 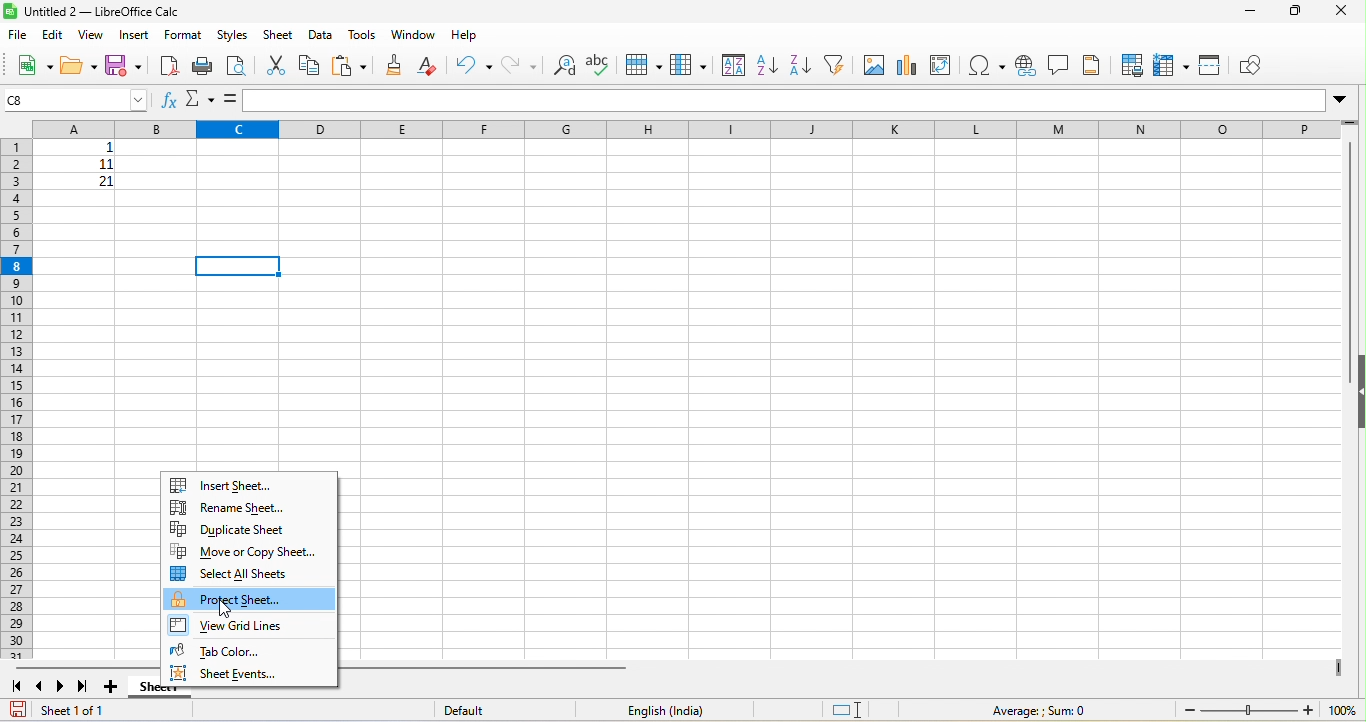 What do you see at coordinates (1353, 247) in the screenshot?
I see `vertical scroll bar` at bounding box center [1353, 247].